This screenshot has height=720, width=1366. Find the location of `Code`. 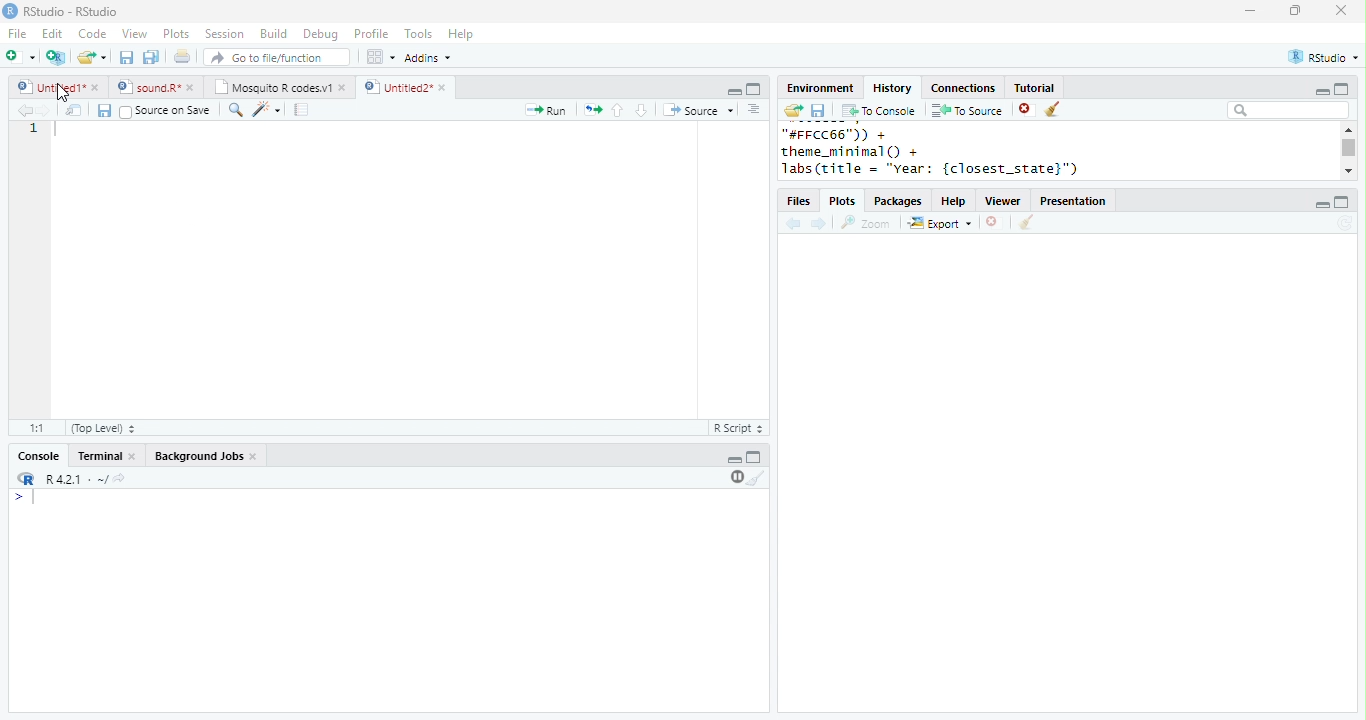

Code is located at coordinates (93, 33).